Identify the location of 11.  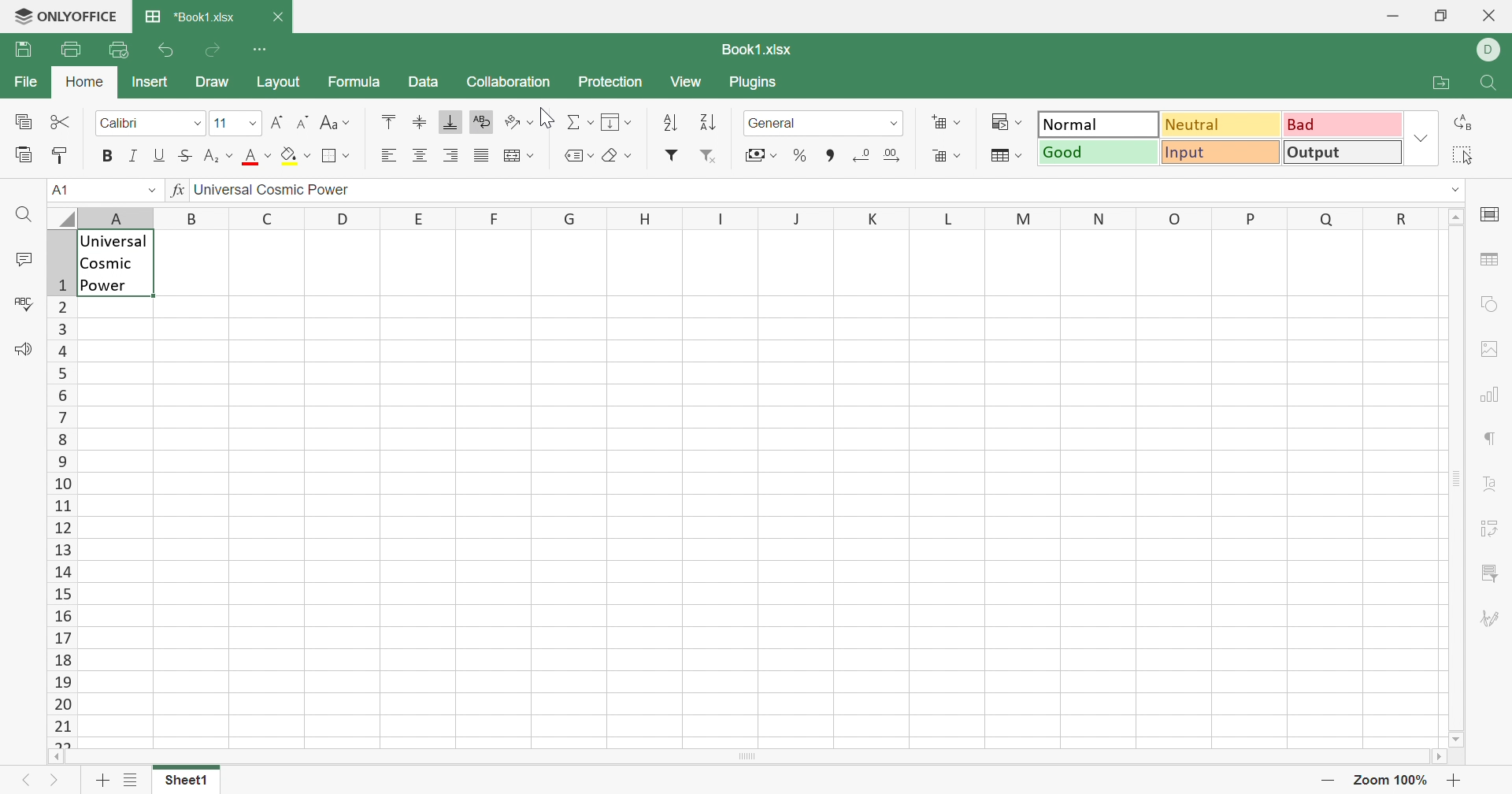
(225, 124).